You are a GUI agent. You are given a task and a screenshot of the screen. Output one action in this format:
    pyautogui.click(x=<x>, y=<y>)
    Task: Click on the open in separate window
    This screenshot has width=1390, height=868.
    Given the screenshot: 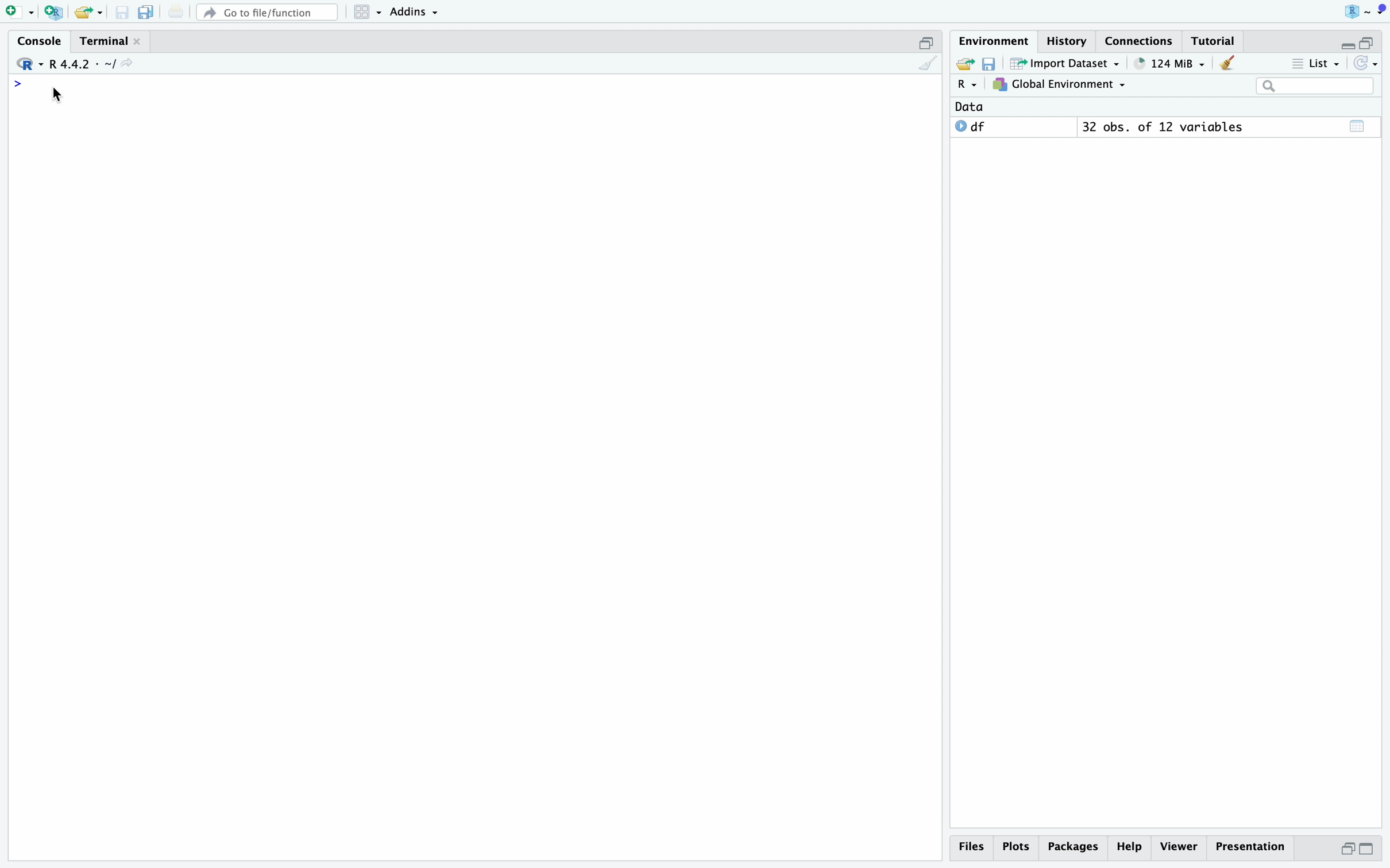 What is the action you would take?
    pyautogui.click(x=1347, y=849)
    